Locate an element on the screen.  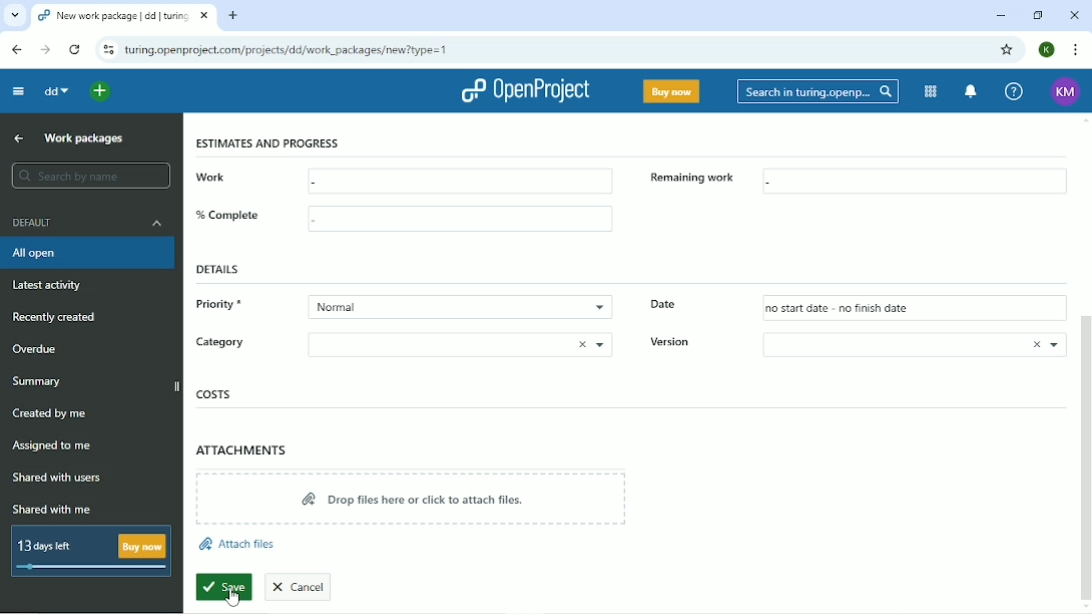
View site information is located at coordinates (106, 49).